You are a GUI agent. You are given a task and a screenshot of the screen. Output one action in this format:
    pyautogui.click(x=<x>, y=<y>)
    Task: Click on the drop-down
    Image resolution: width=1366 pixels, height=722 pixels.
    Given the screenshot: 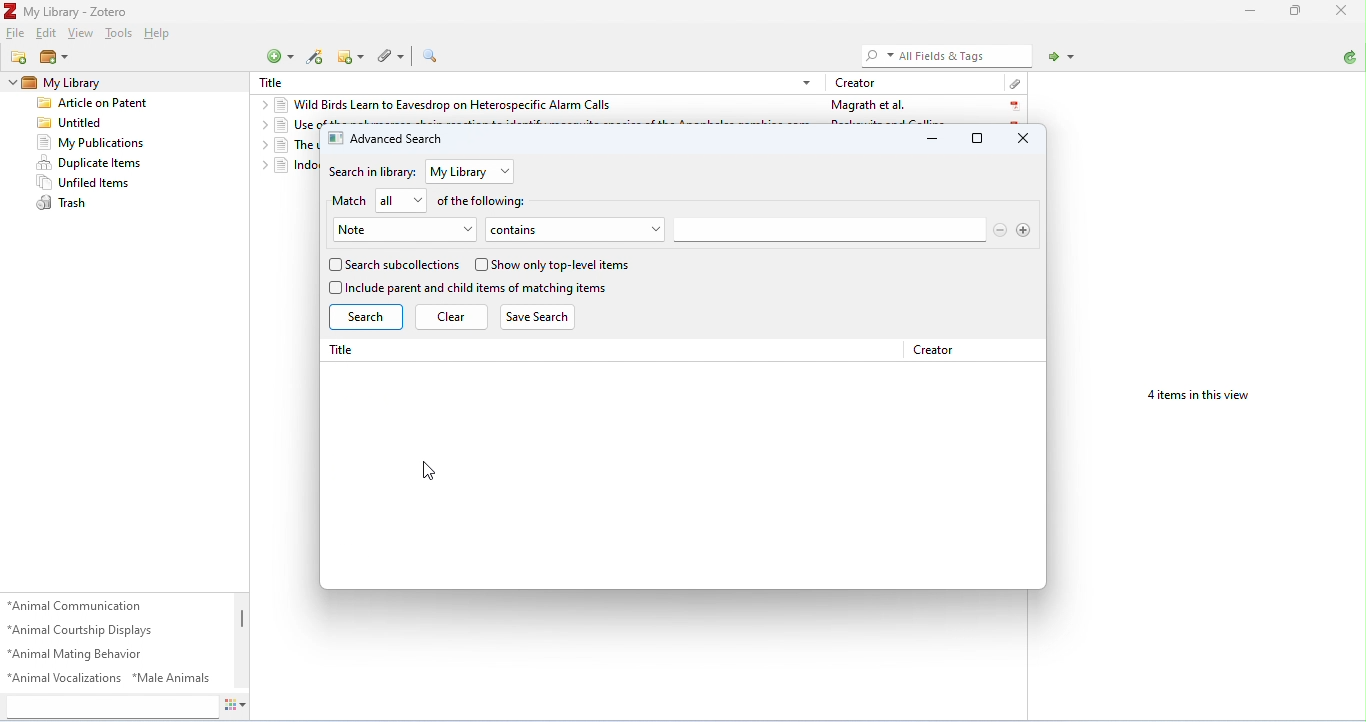 What is the action you would take?
    pyautogui.click(x=260, y=145)
    